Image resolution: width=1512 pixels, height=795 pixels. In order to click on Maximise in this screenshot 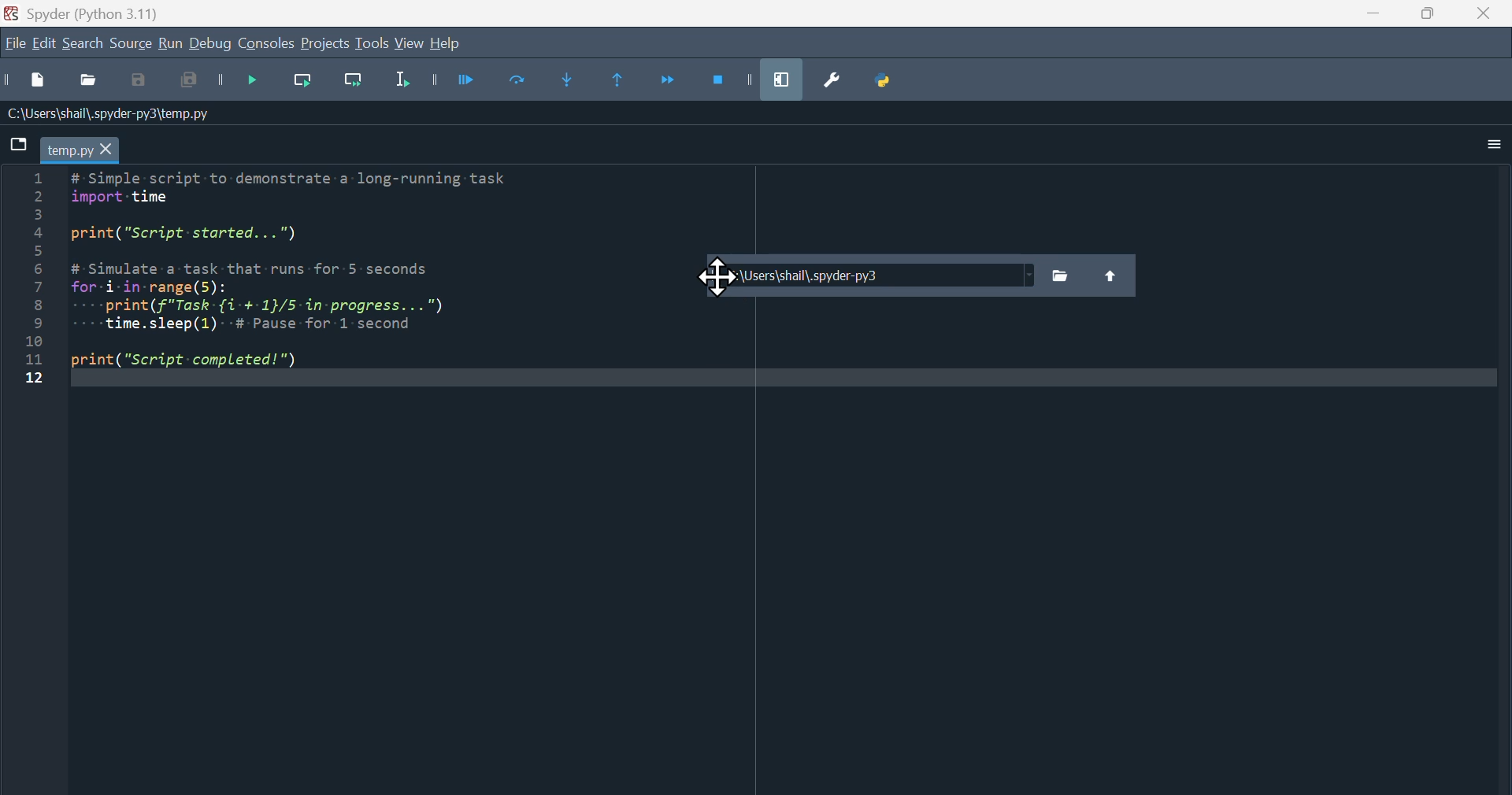, I will do `click(1430, 18)`.